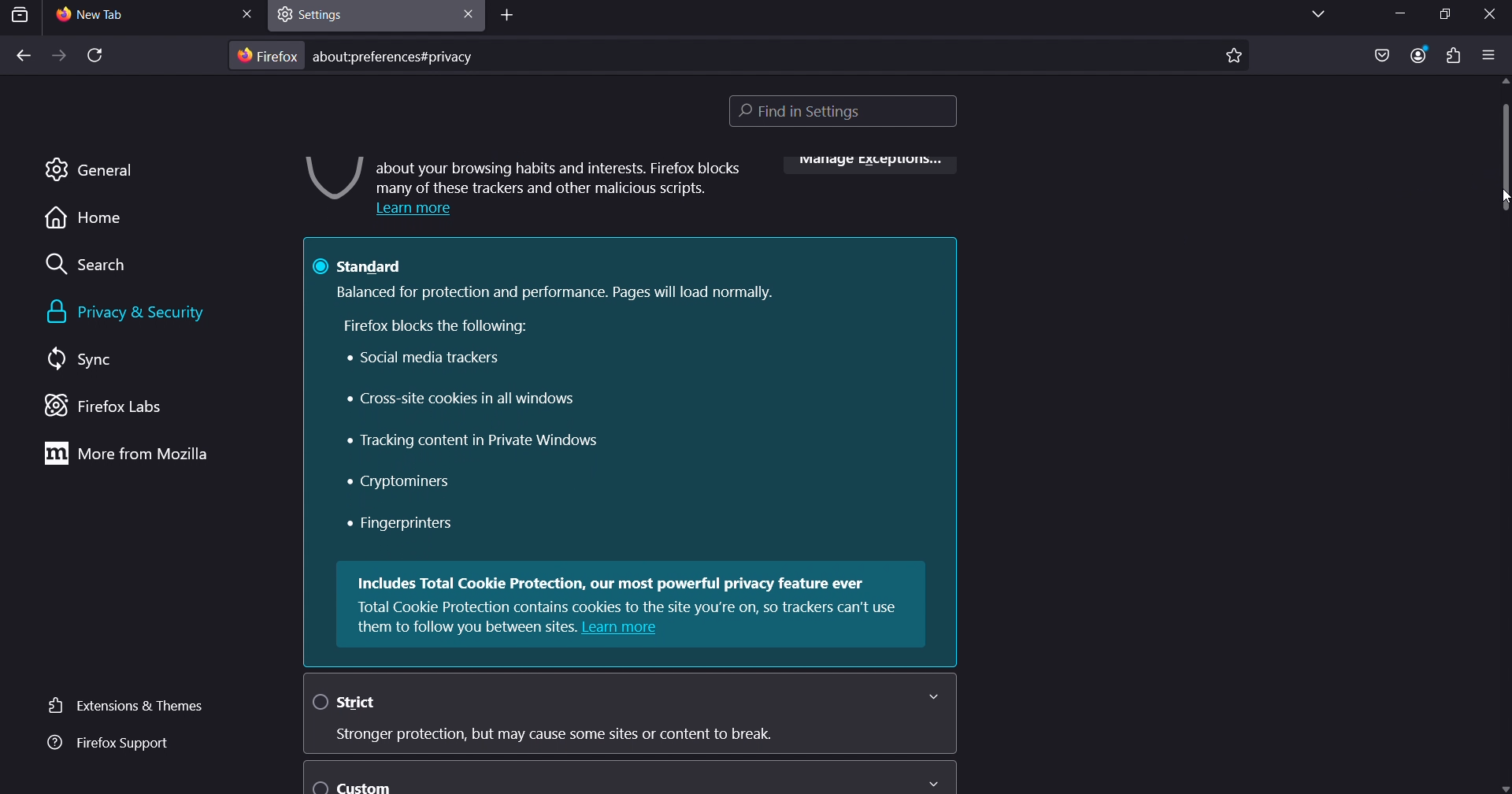  Describe the element at coordinates (143, 313) in the screenshot. I see `privacy & security` at that location.